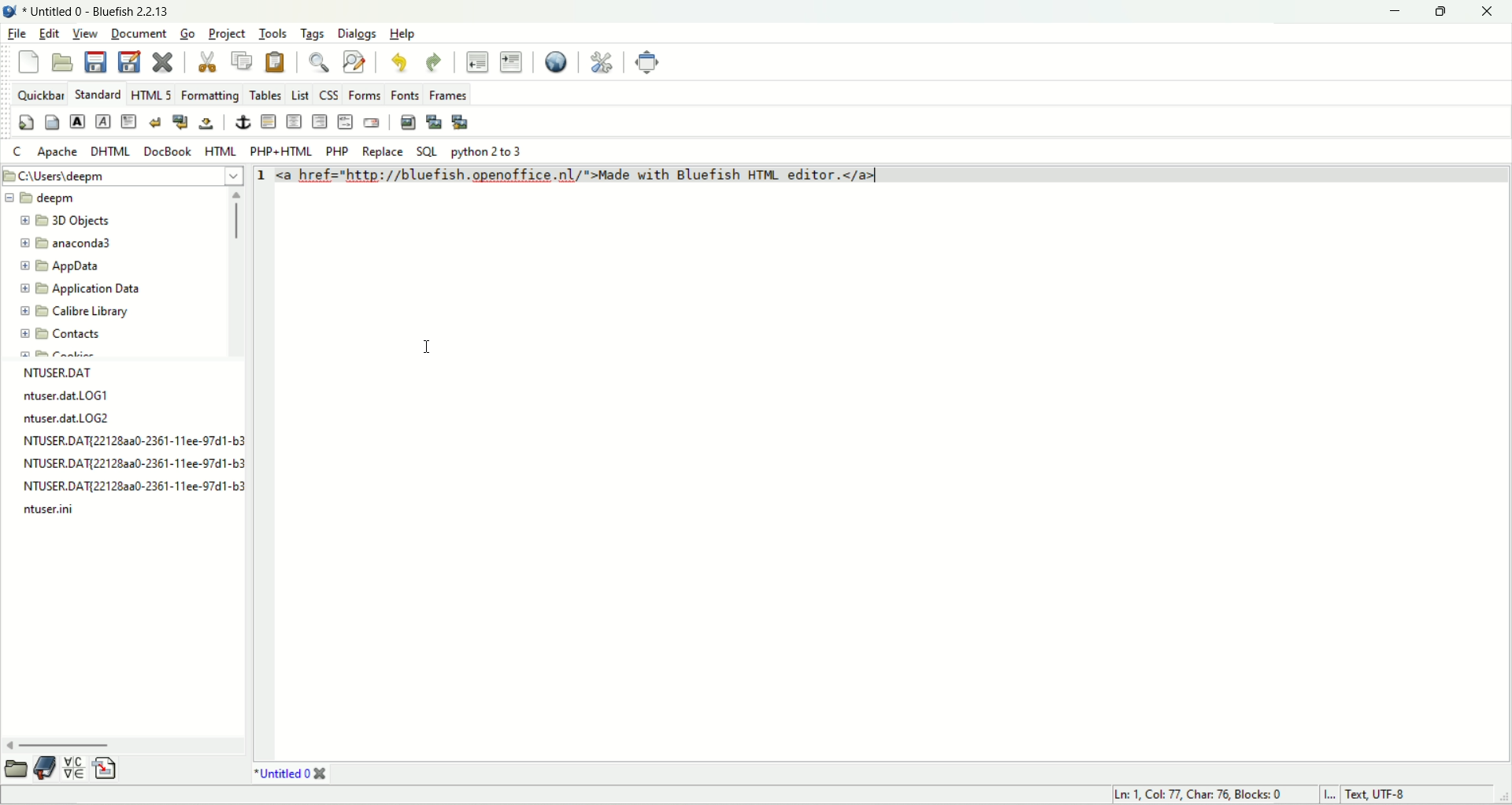  I want to click on replace, so click(382, 152).